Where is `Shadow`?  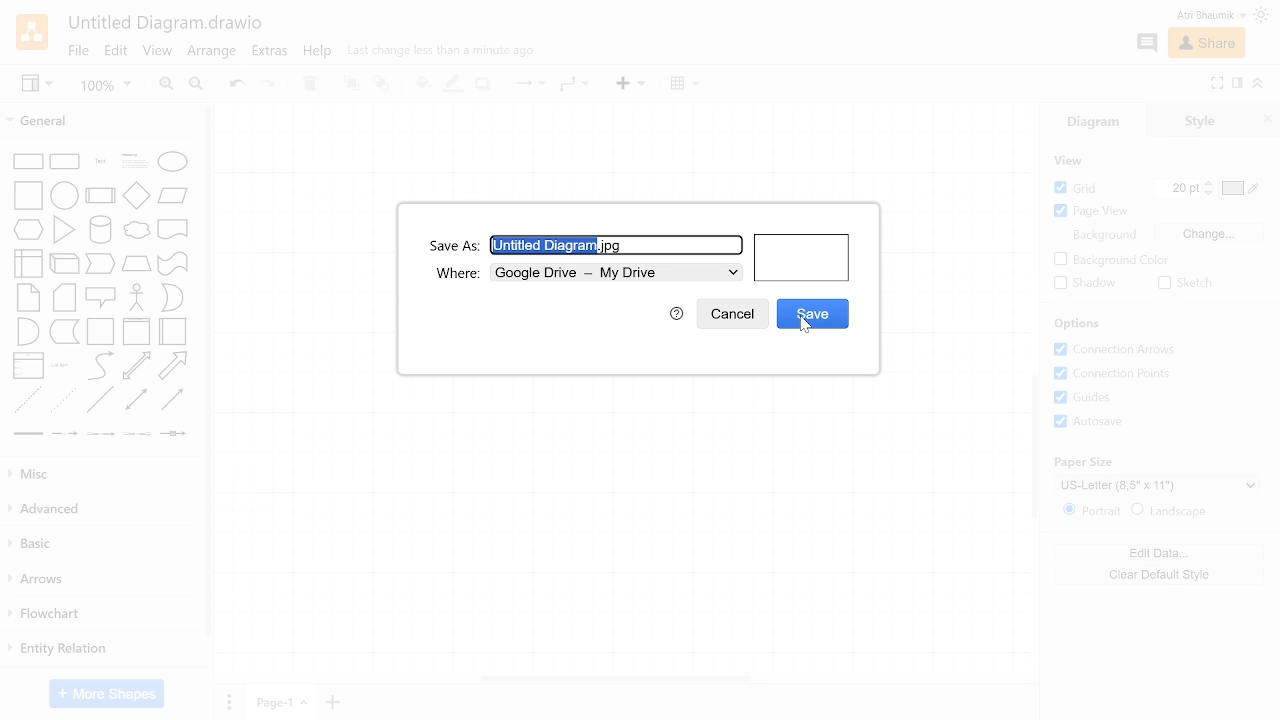 Shadow is located at coordinates (483, 84).